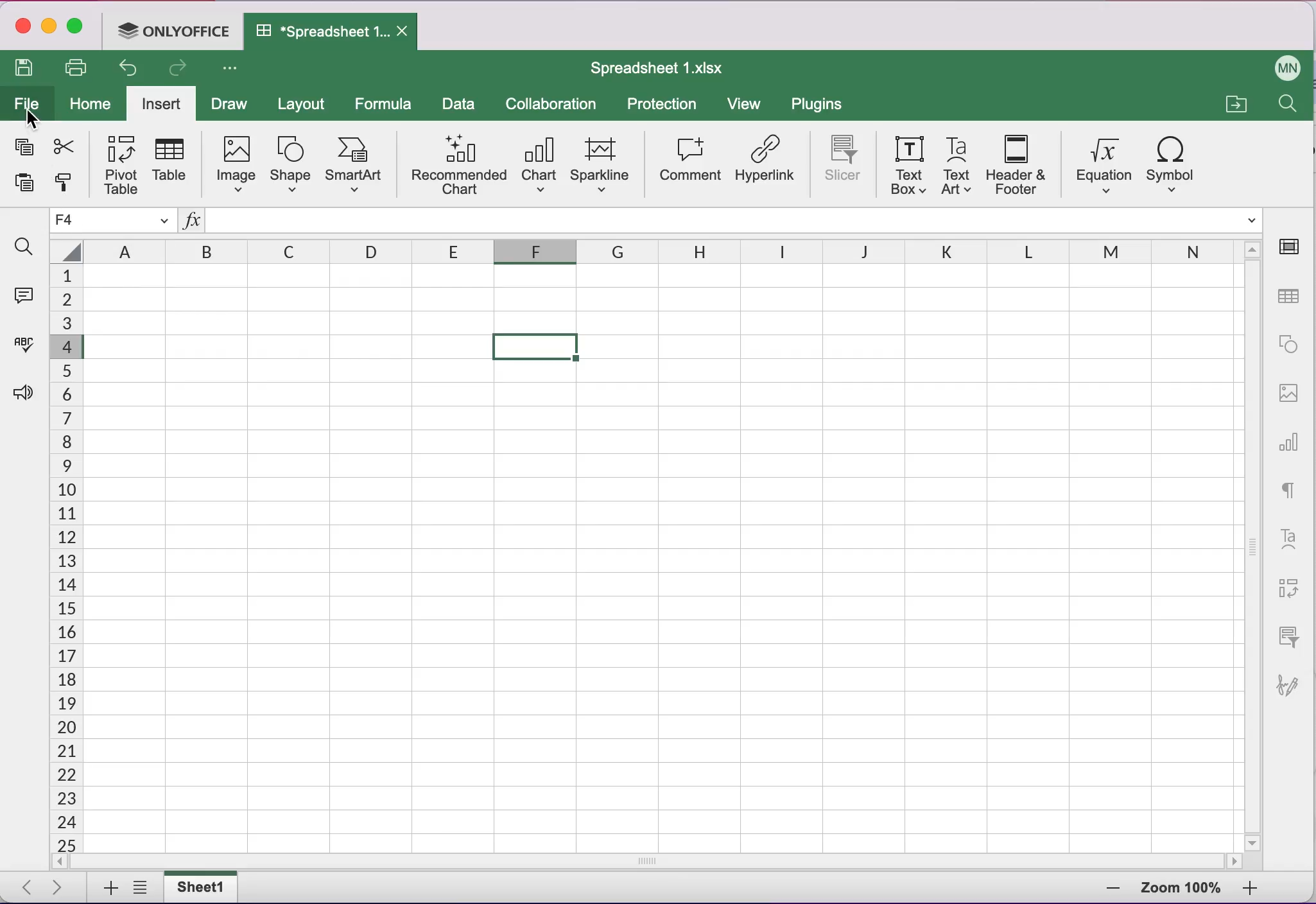 The width and height of the screenshot is (1316, 904). What do you see at coordinates (1235, 101) in the screenshot?
I see `open file location` at bounding box center [1235, 101].